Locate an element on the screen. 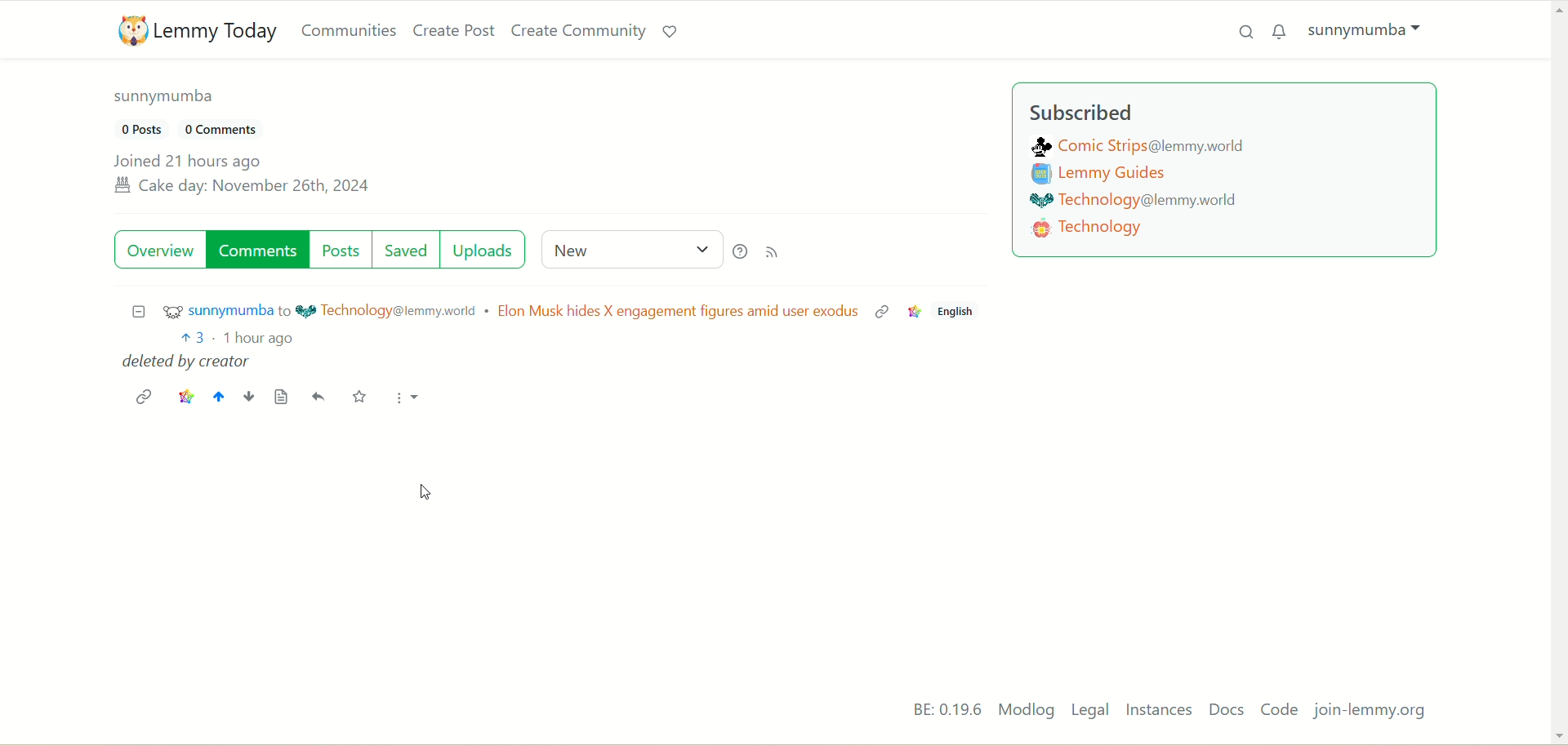 The height and width of the screenshot is (746, 1568). subscribed is located at coordinates (1084, 113).